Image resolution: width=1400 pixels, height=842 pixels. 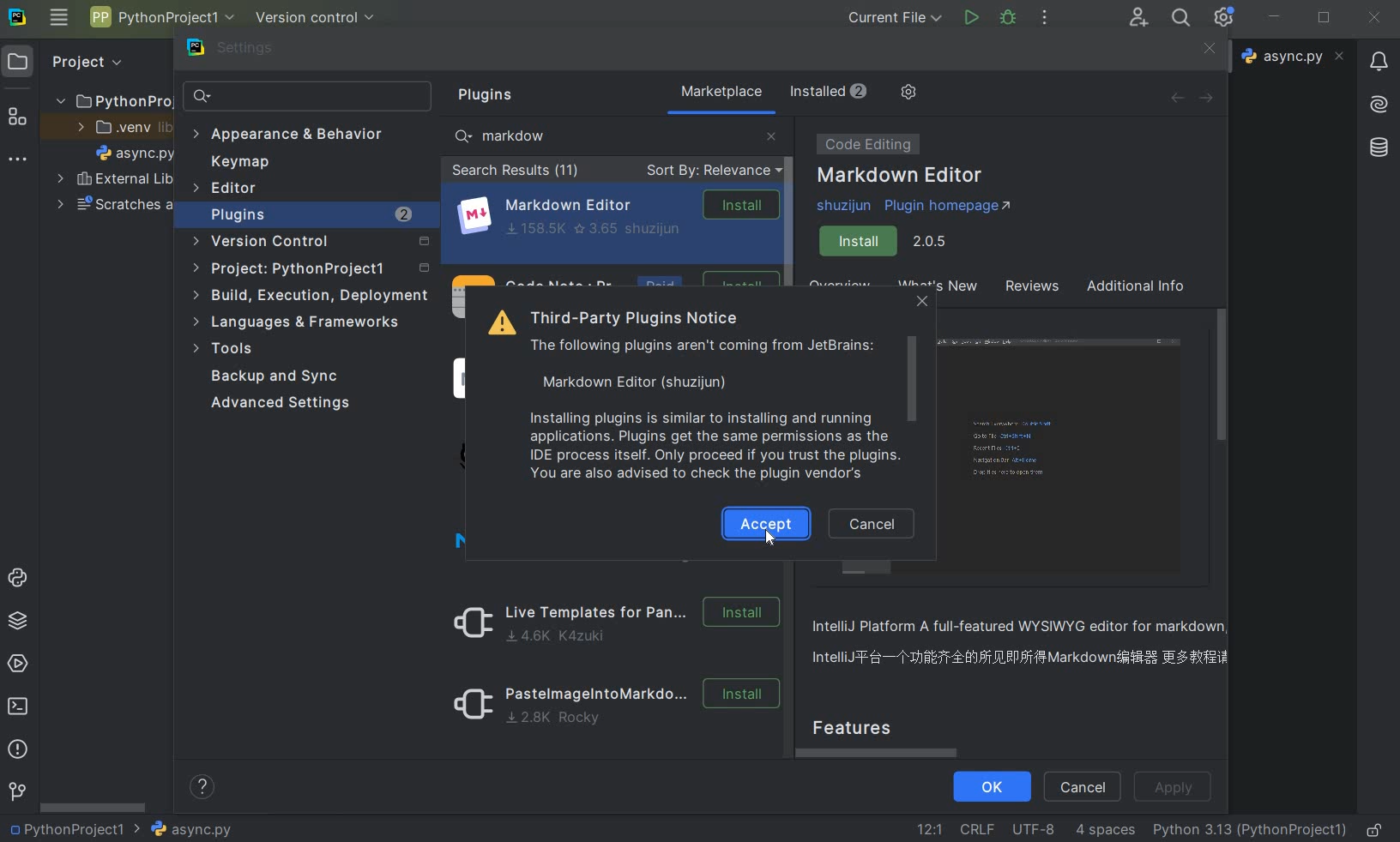 I want to click on scratches and consoles, so click(x=112, y=207).